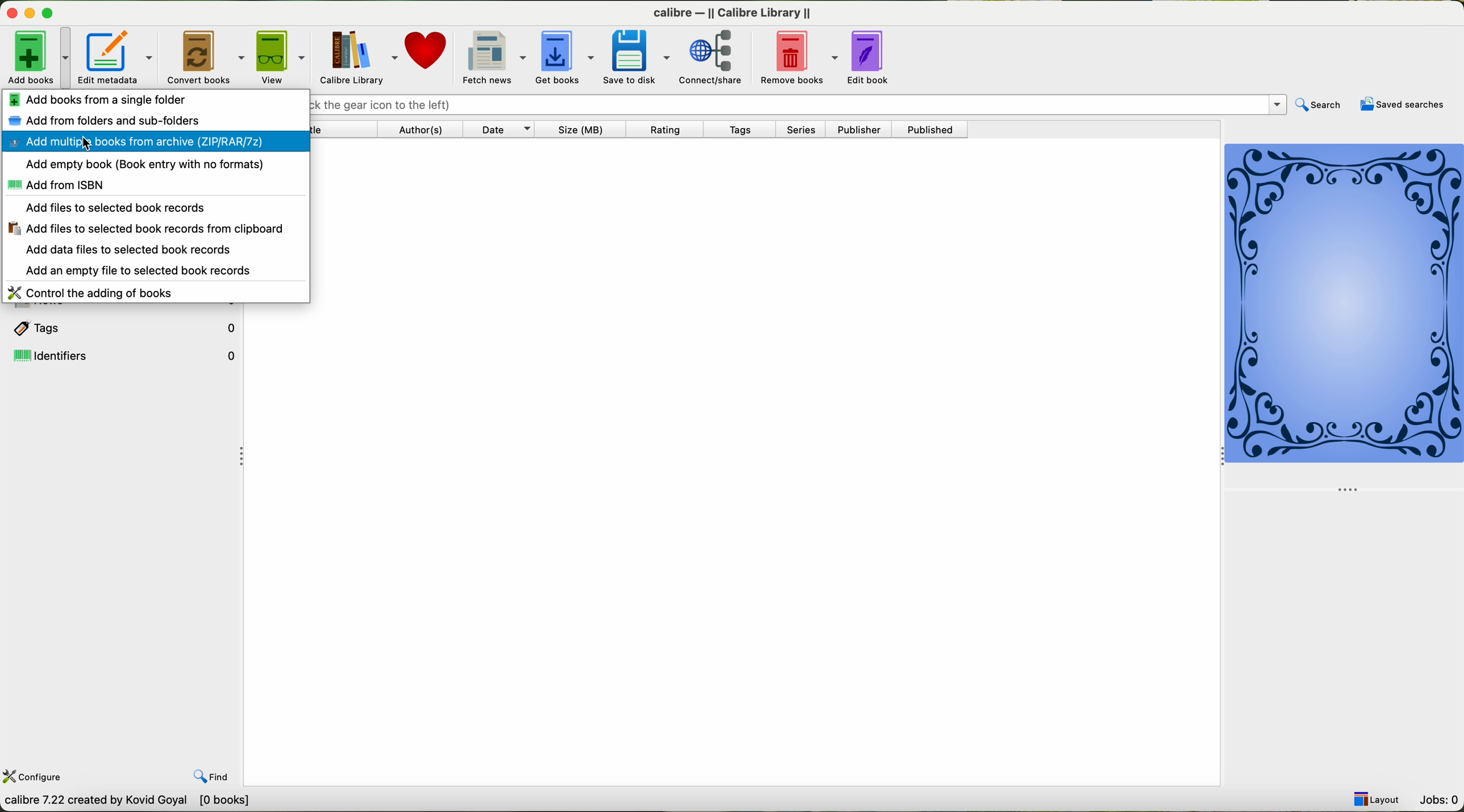 This screenshot has width=1464, height=812. What do you see at coordinates (142, 271) in the screenshot?
I see `add an empty file` at bounding box center [142, 271].